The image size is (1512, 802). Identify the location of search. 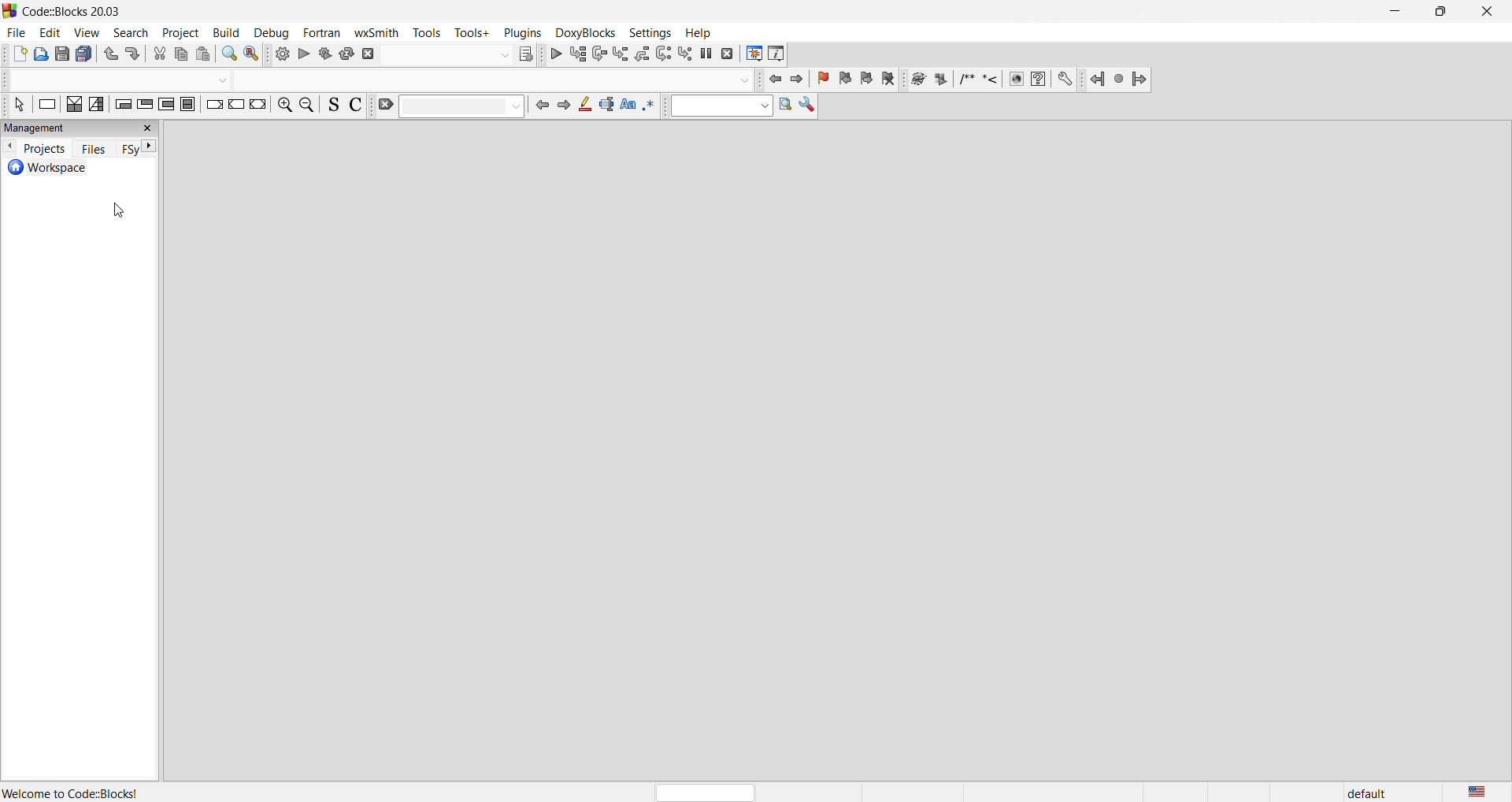
(130, 33).